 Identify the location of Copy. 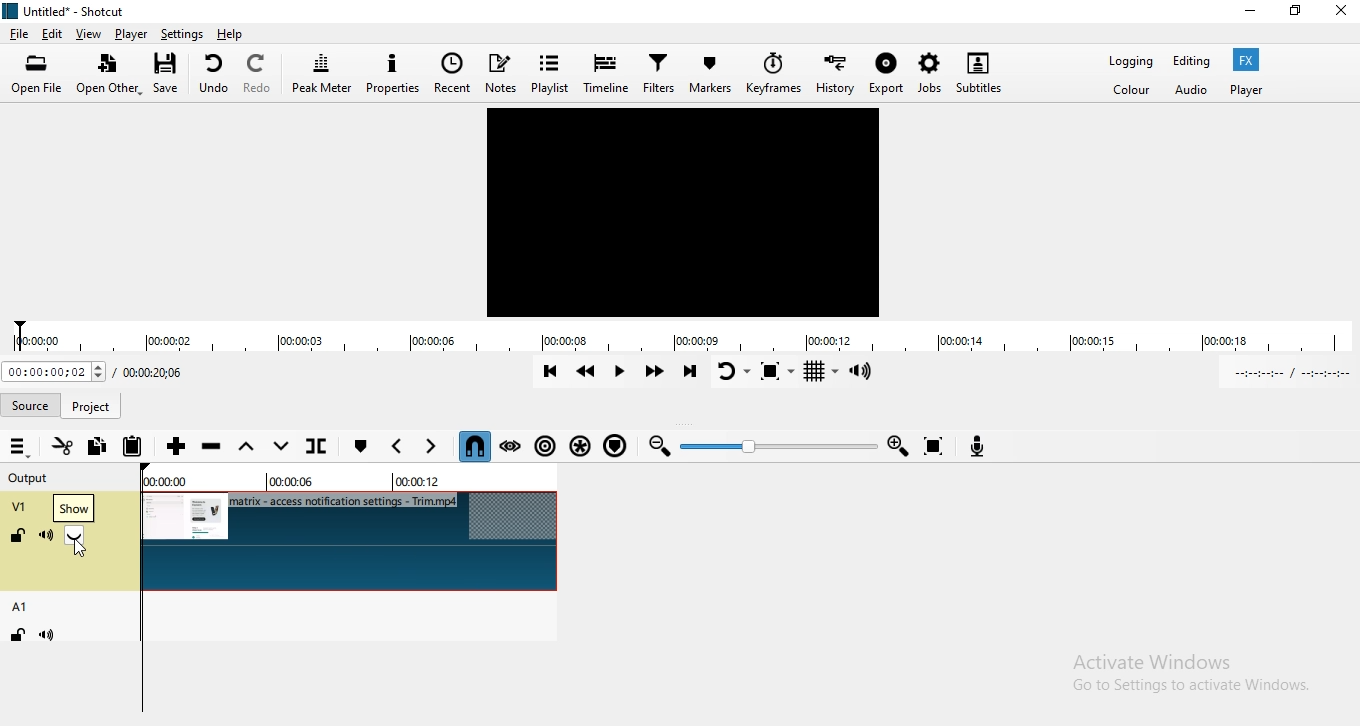
(97, 446).